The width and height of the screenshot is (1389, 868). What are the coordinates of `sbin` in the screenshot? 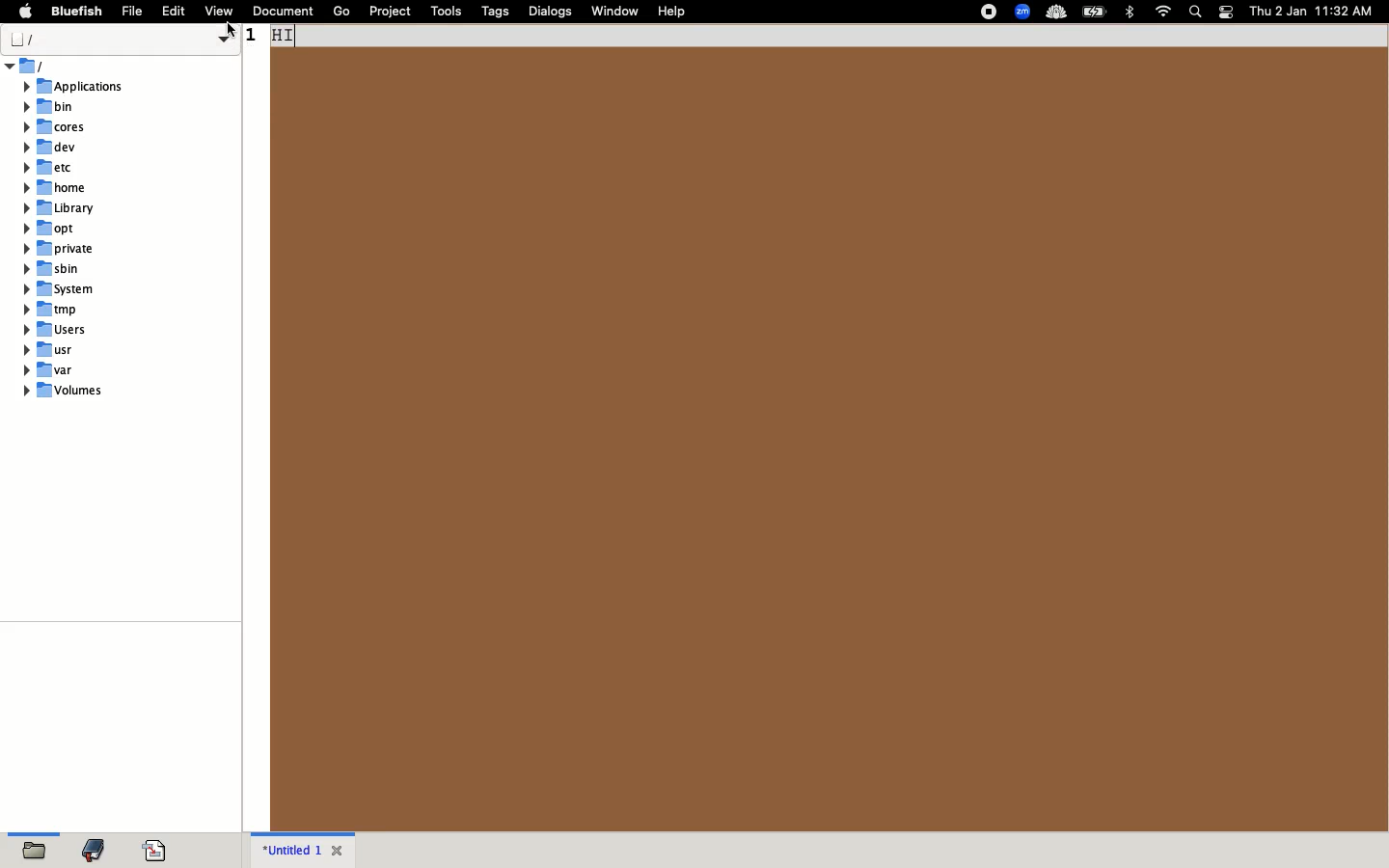 It's located at (56, 269).